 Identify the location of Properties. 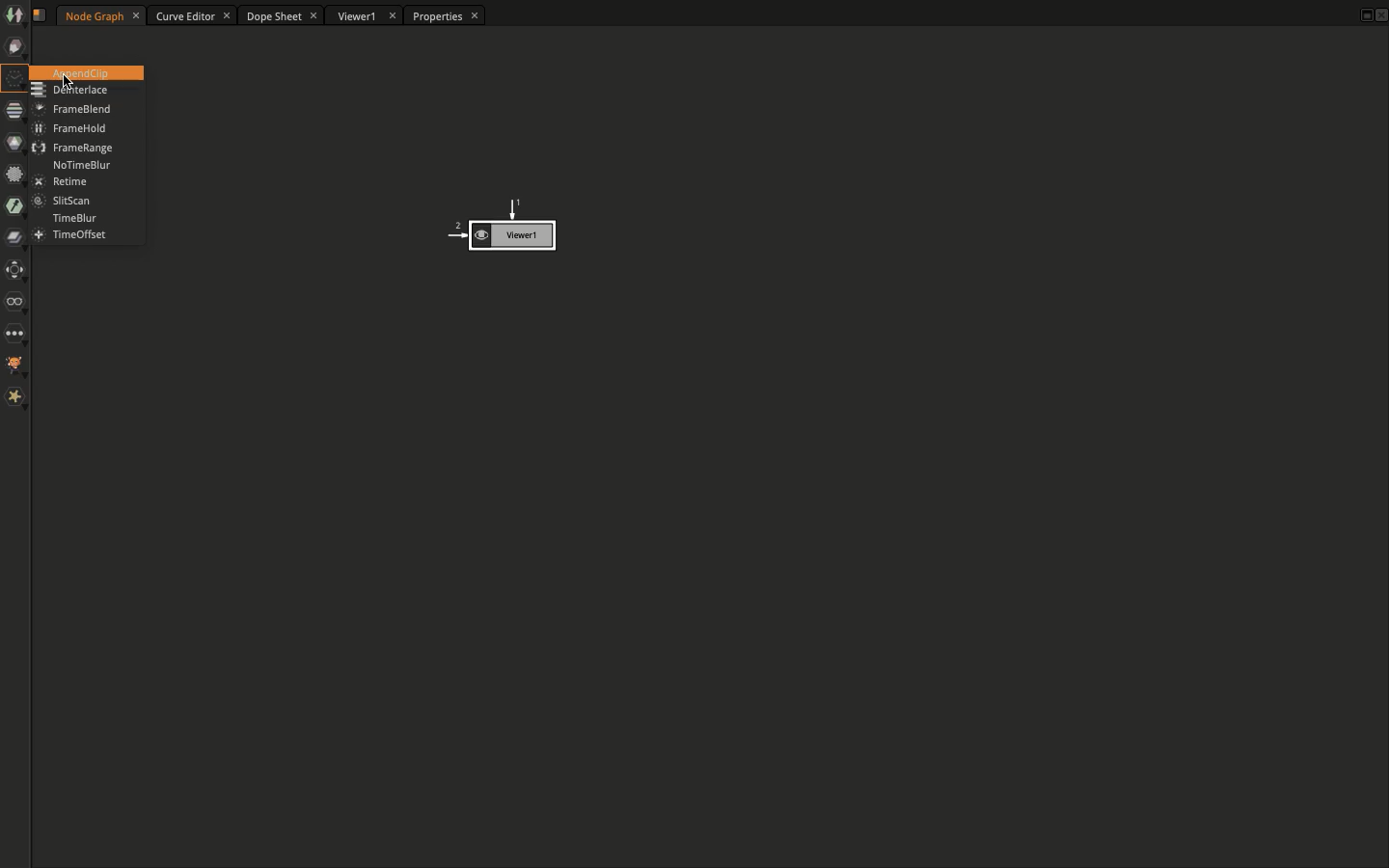
(442, 17).